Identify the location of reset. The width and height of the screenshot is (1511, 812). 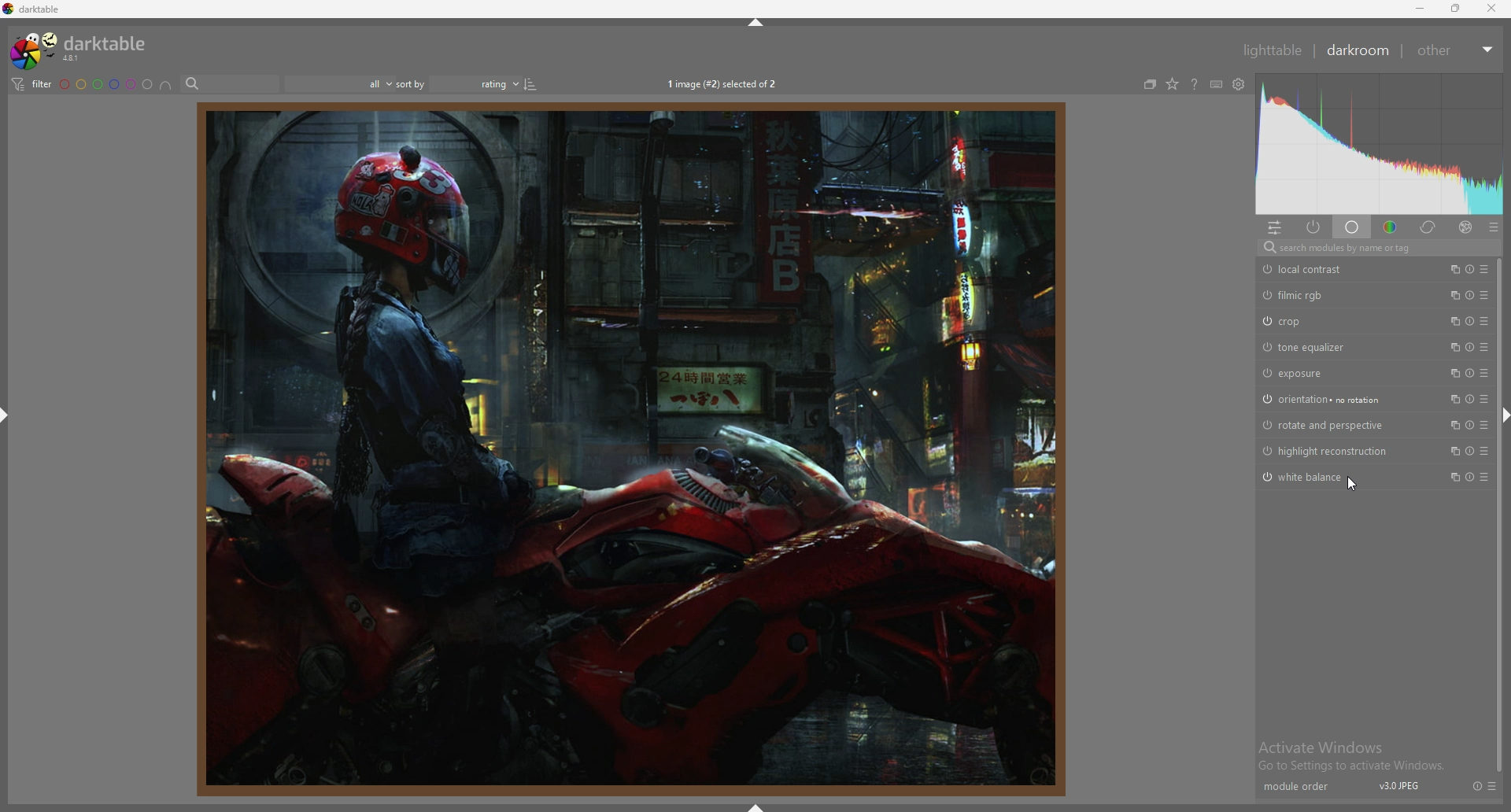
(1469, 374).